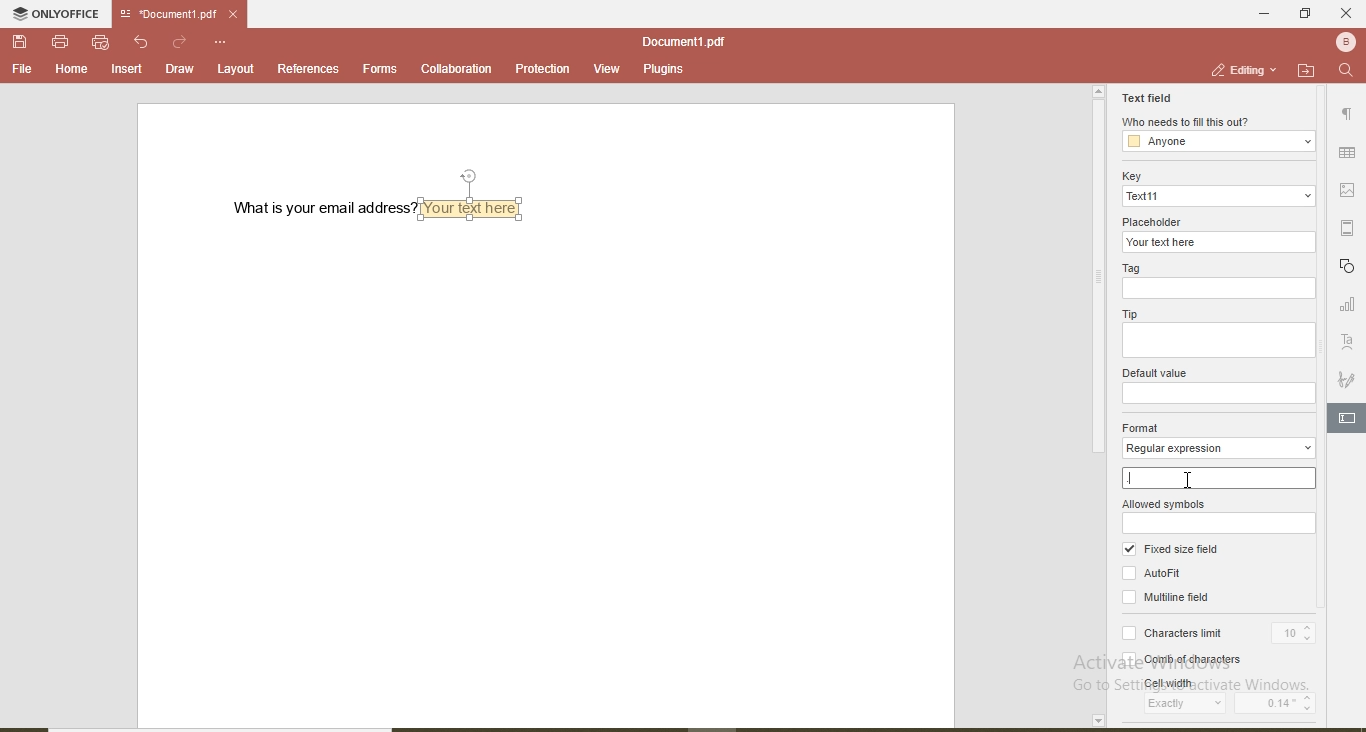 The image size is (1366, 732). What do you see at coordinates (1346, 71) in the screenshot?
I see `find` at bounding box center [1346, 71].